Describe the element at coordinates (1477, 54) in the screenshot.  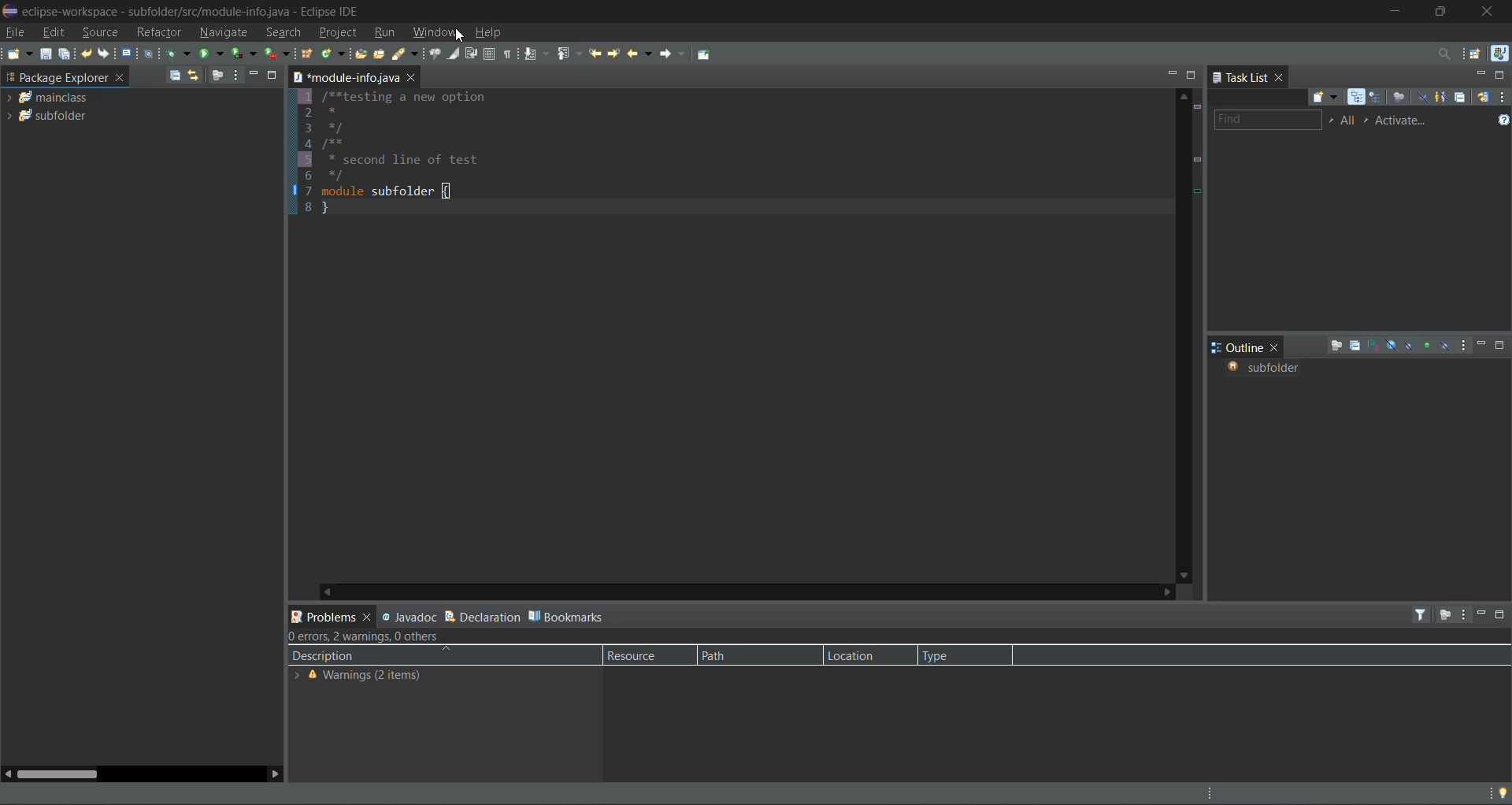
I see `open perspective` at that location.